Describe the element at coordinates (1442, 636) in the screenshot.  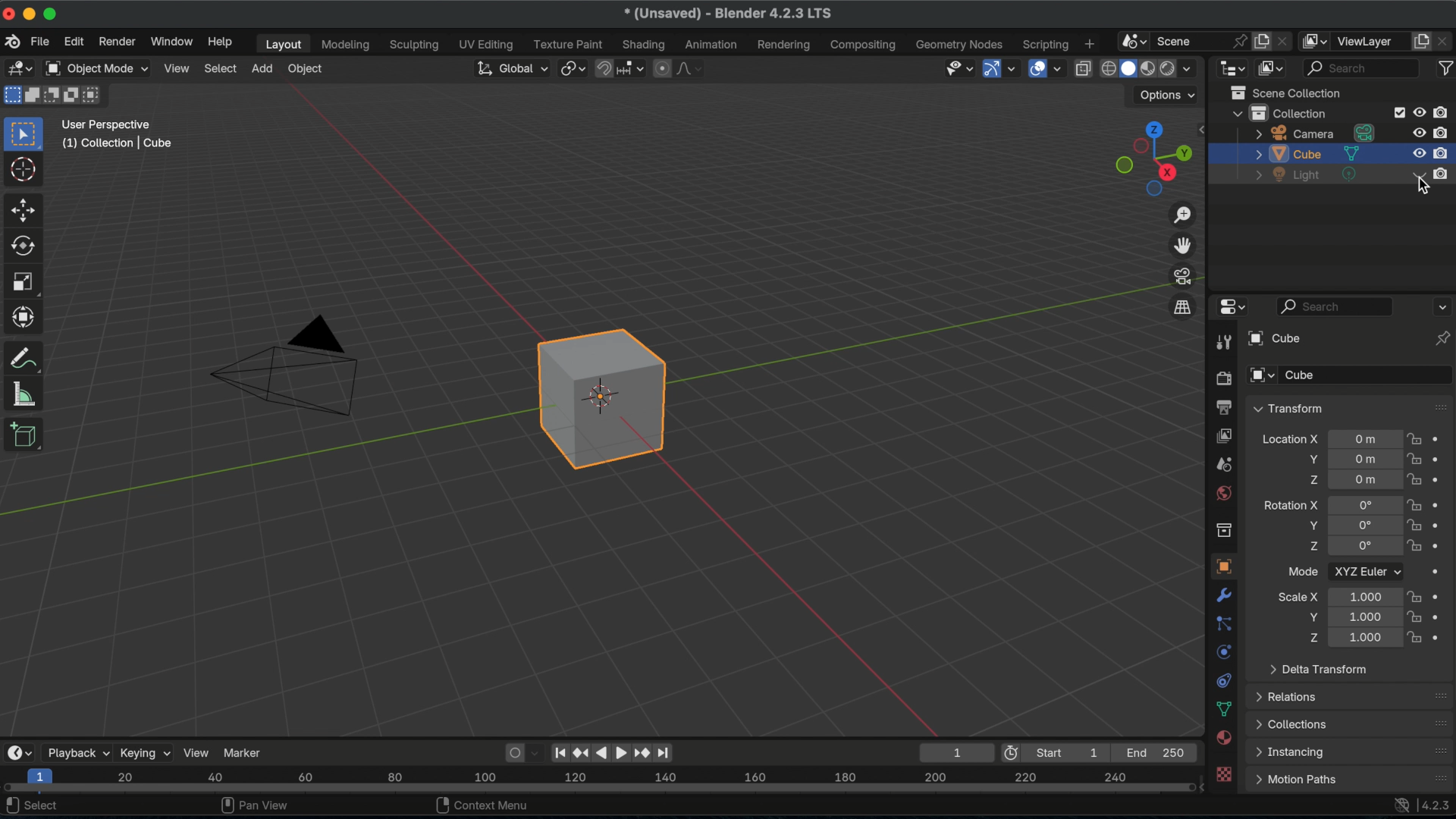
I see `animate property` at that location.